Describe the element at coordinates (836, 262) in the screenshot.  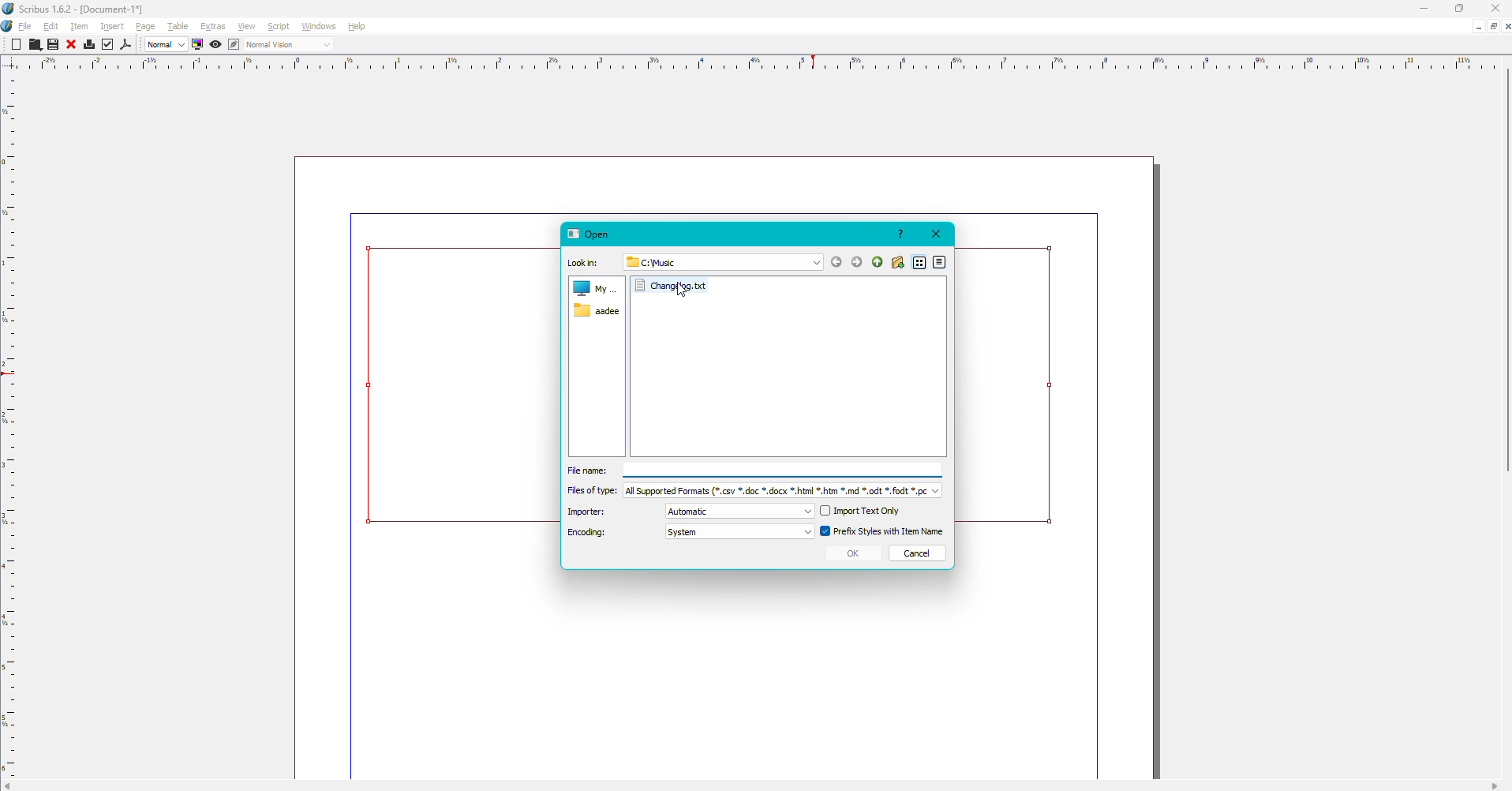
I see `back` at that location.